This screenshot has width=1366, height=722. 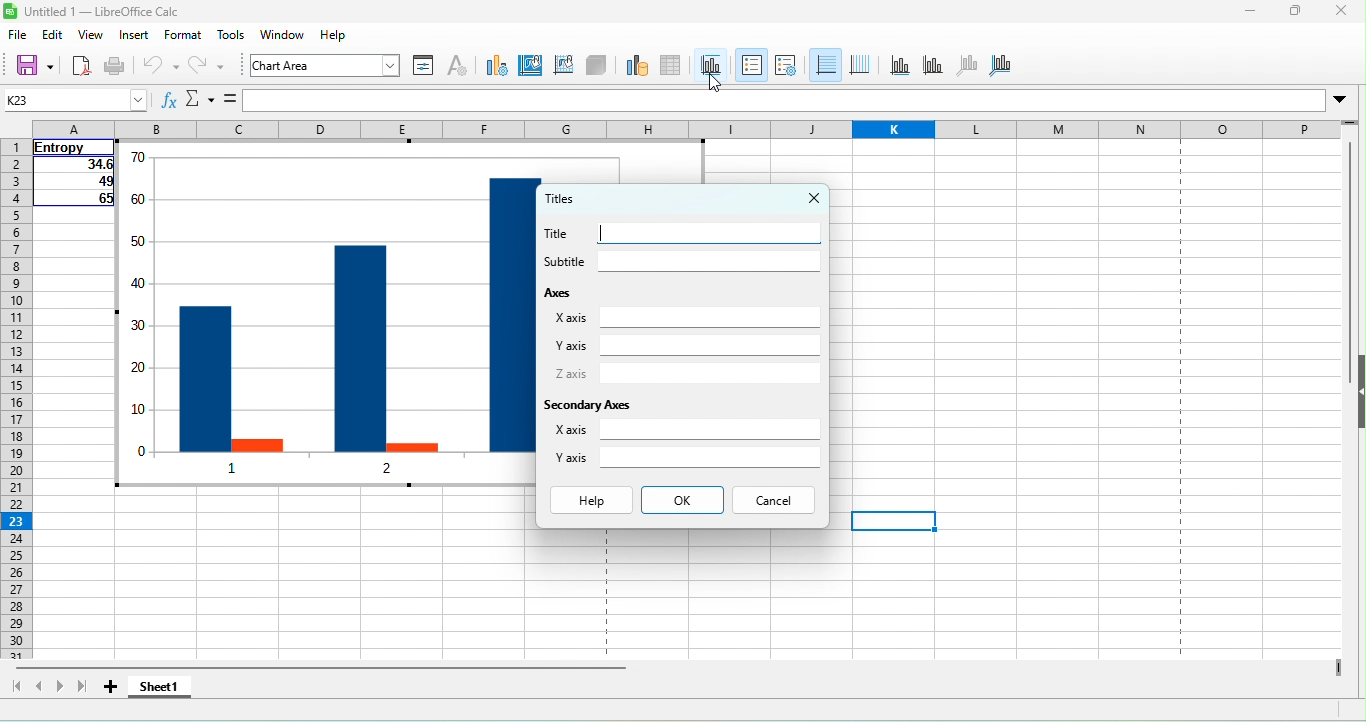 What do you see at coordinates (70, 147) in the screenshot?
I see `entropy` at bounding box center [70, 147].